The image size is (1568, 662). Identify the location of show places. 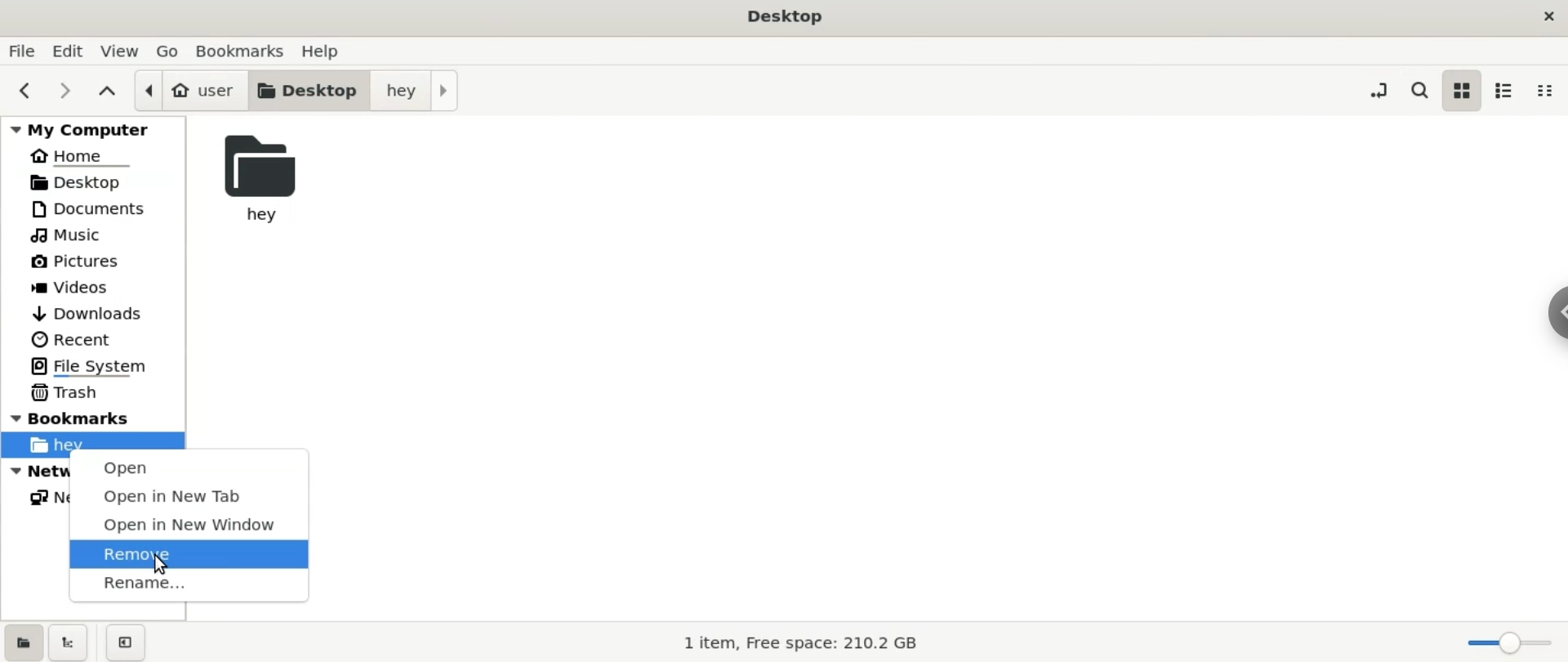
(21, 641).